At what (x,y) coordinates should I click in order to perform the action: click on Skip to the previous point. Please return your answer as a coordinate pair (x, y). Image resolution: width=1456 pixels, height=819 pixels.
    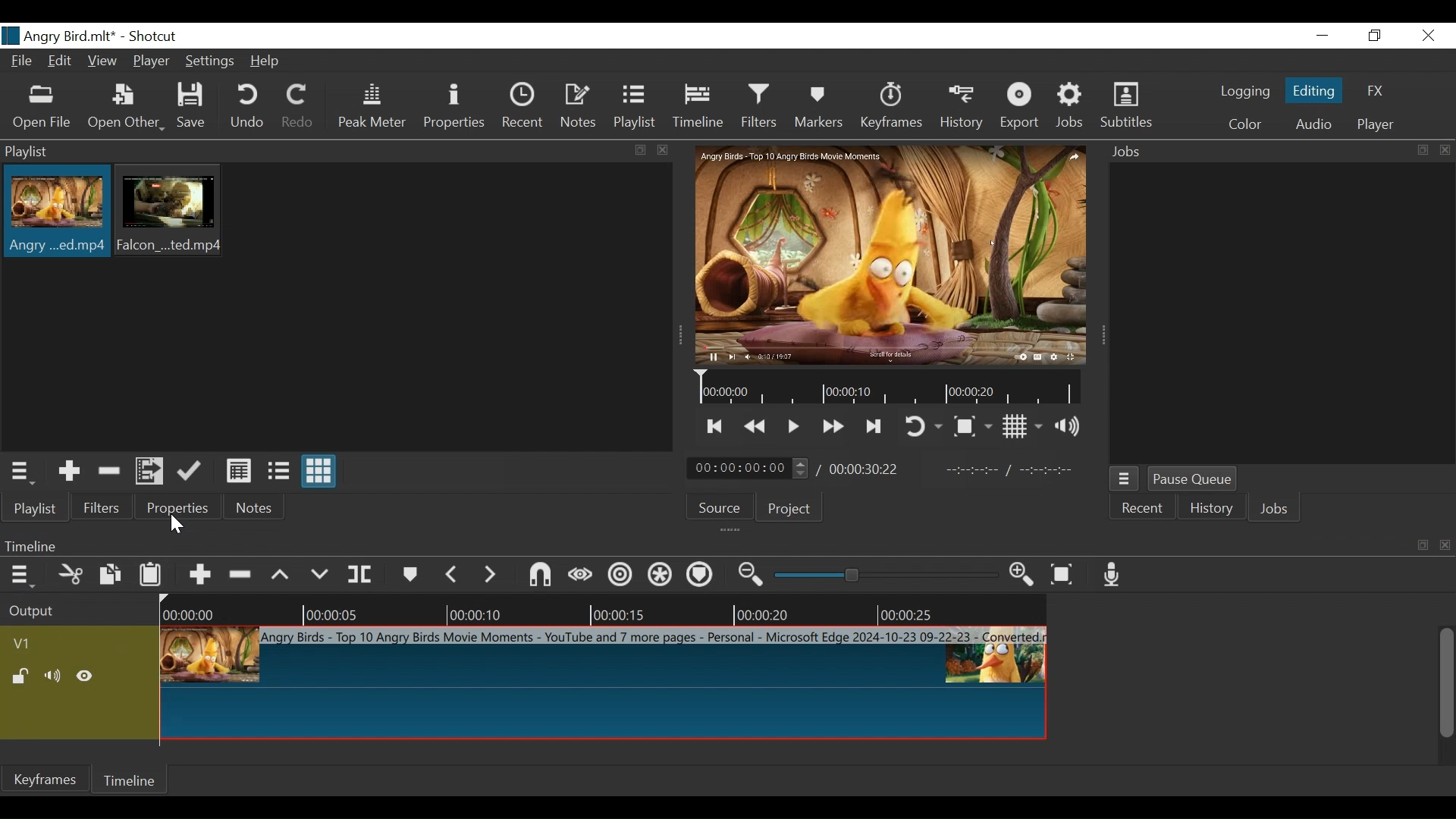
    Looking at the image, I should click on (713, 427).